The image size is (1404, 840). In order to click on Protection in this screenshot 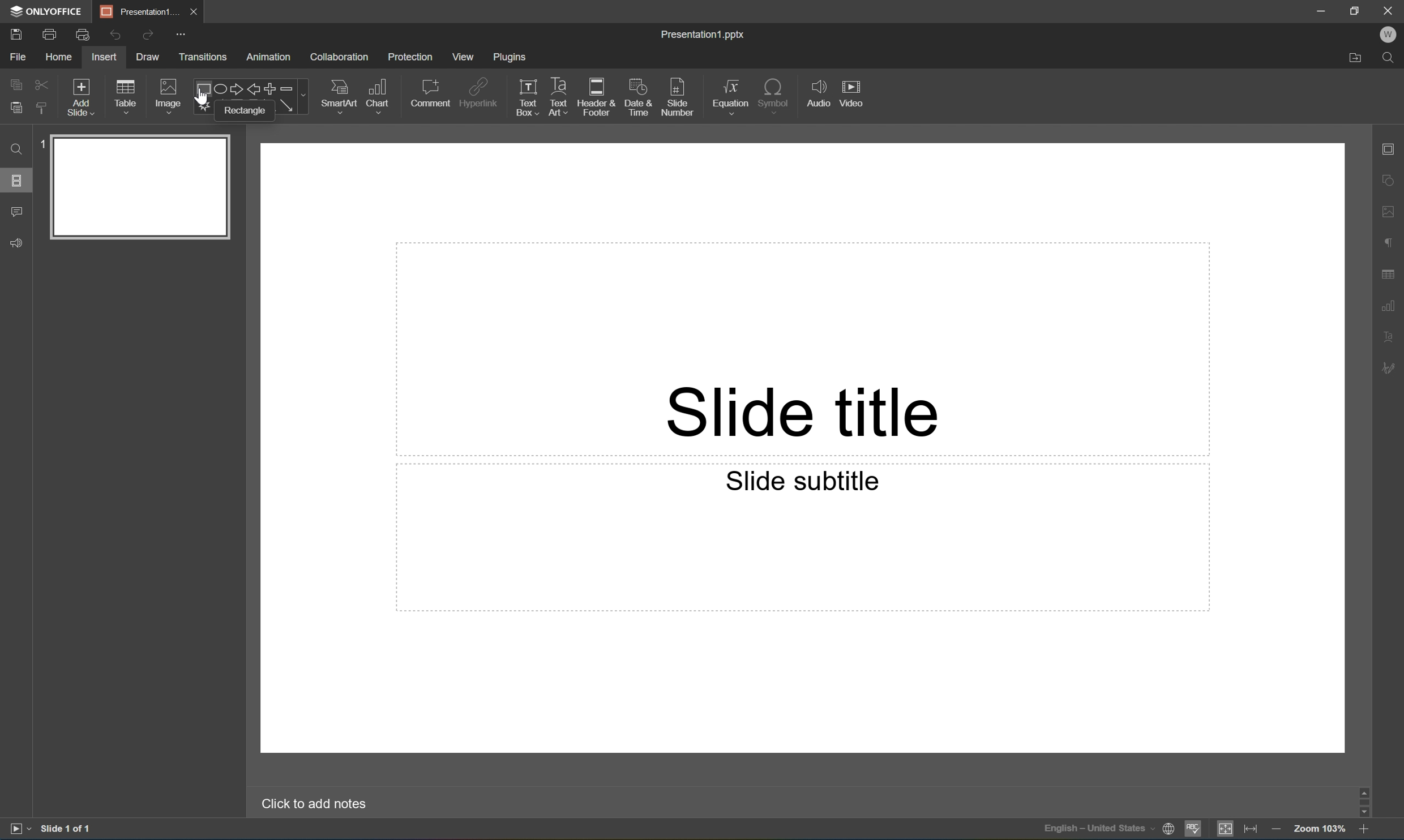, I will do `click(410, 57)`.